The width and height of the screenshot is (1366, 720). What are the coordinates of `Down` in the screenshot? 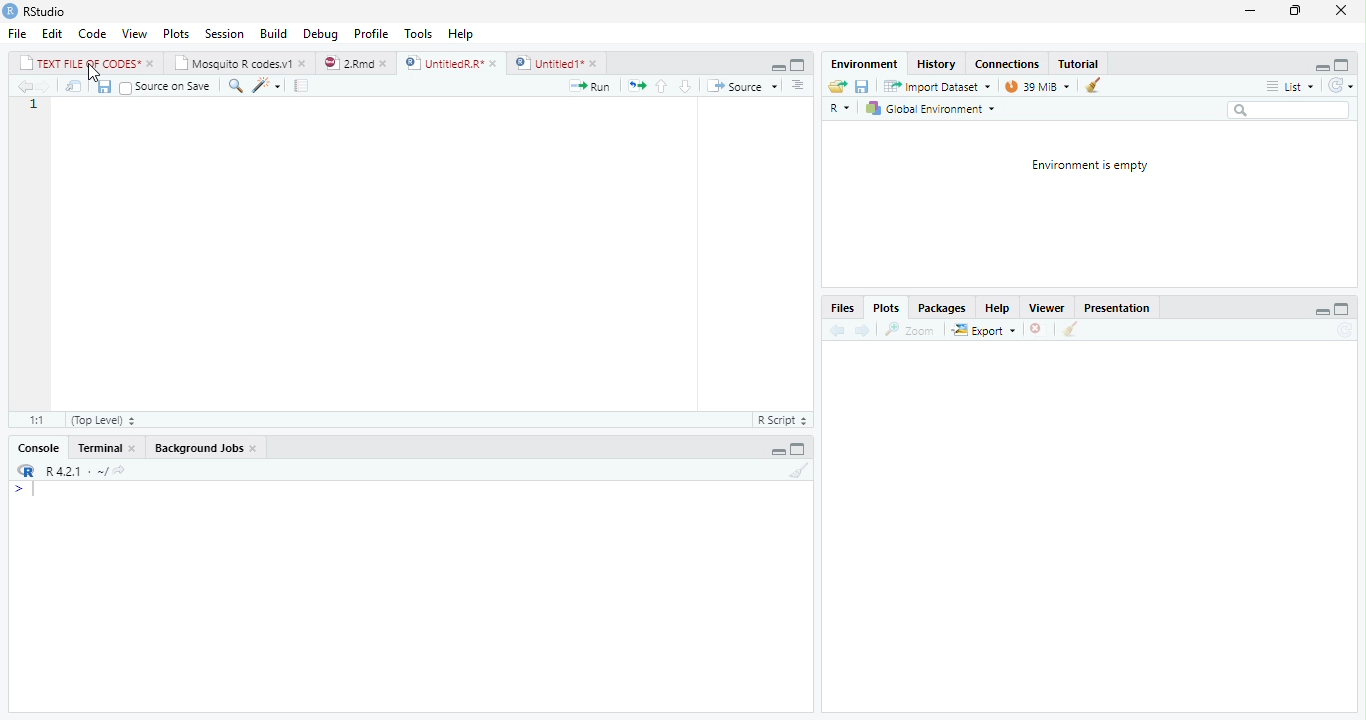 It's located at (685, 85).